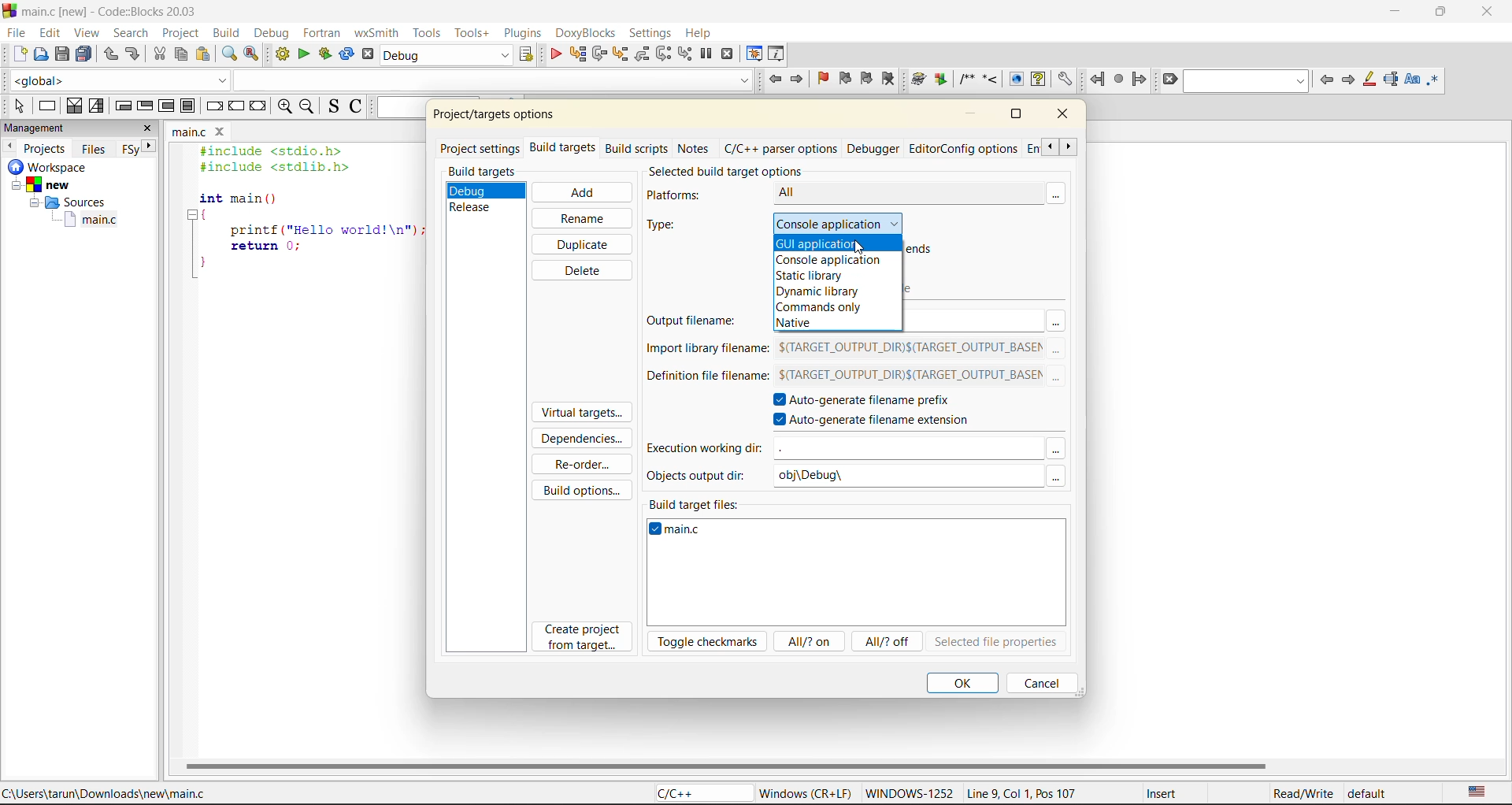 The image size is (1512, 805). I want to click on notes, so click(695, 147).